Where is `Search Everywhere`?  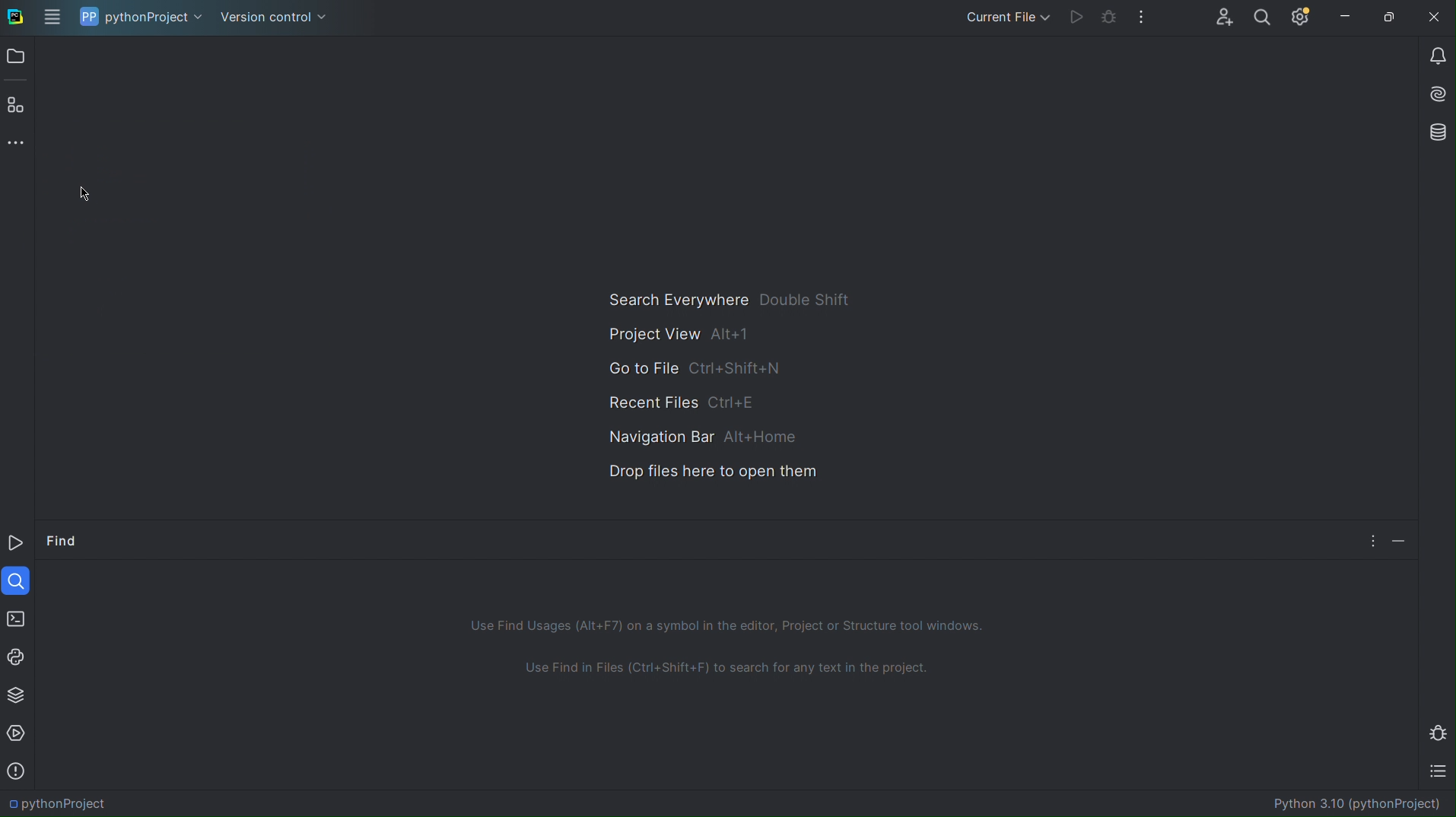
Search Everywhere is located at coordinates (729, 299).